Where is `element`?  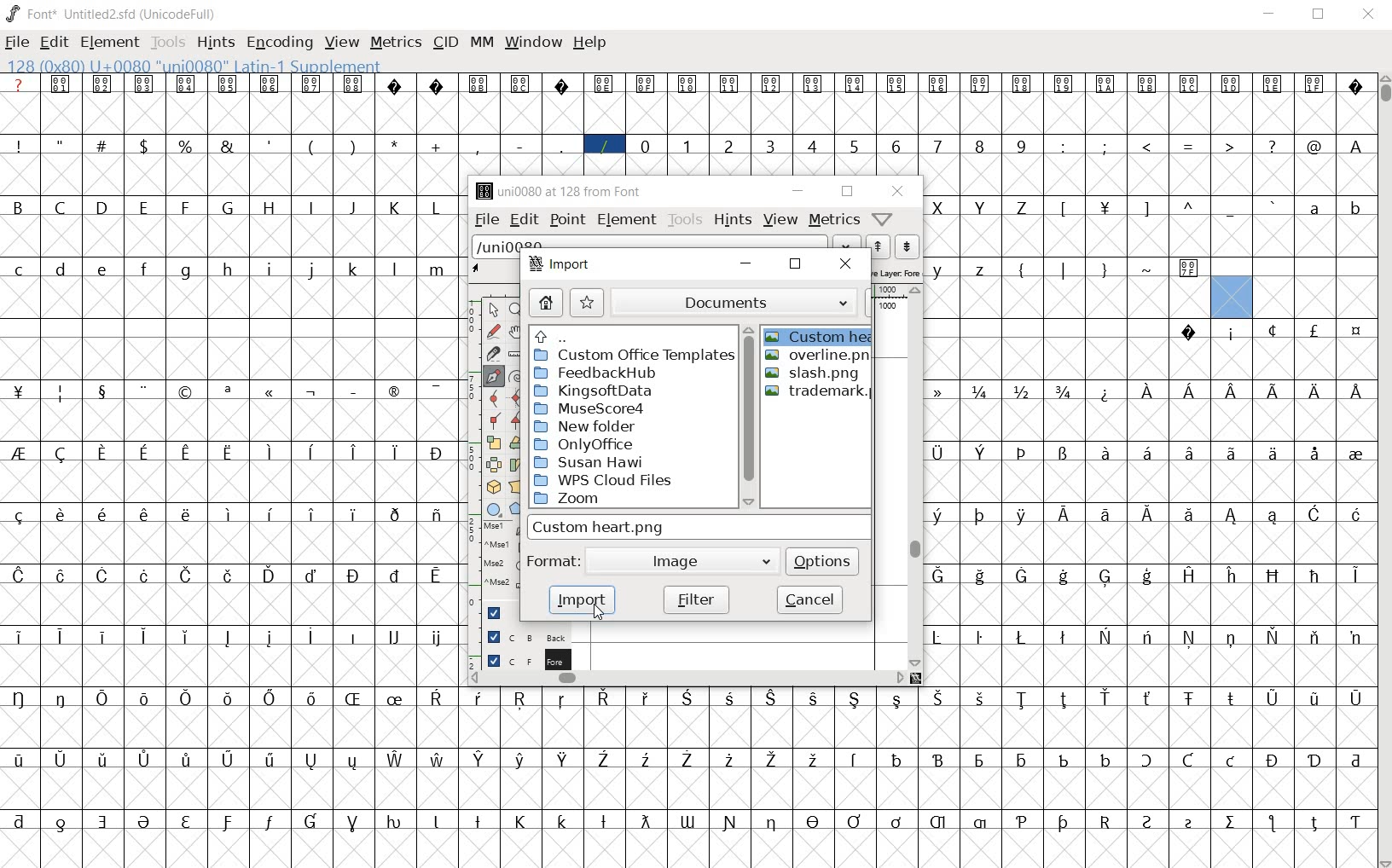
element is located at coordinates (626, 220).